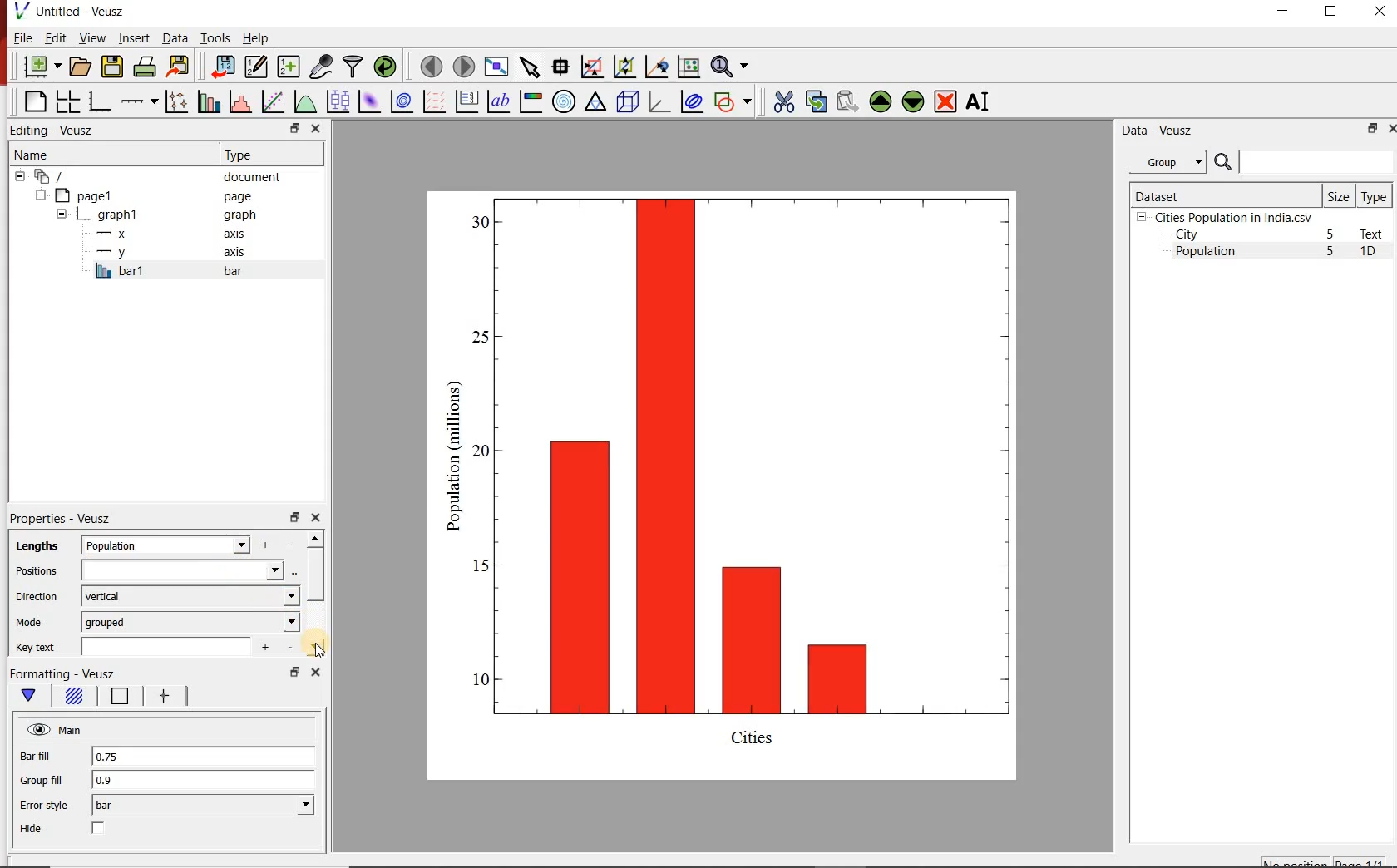 This screenshot has height=868, width=1397. I want to click on search dataset, so click(1305, 162).